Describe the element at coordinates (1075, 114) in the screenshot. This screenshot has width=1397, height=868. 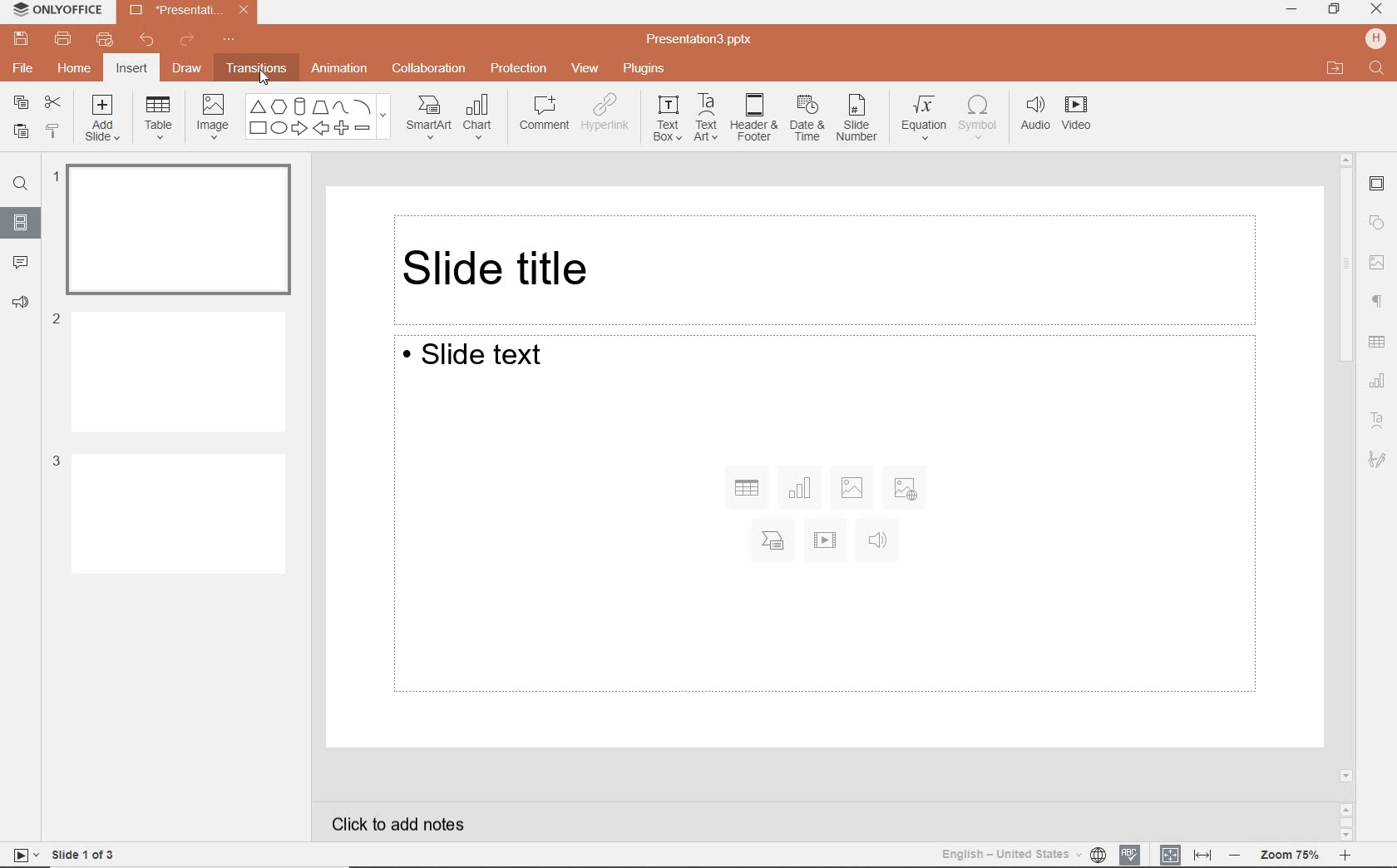
I see `VIDEO` at that location.